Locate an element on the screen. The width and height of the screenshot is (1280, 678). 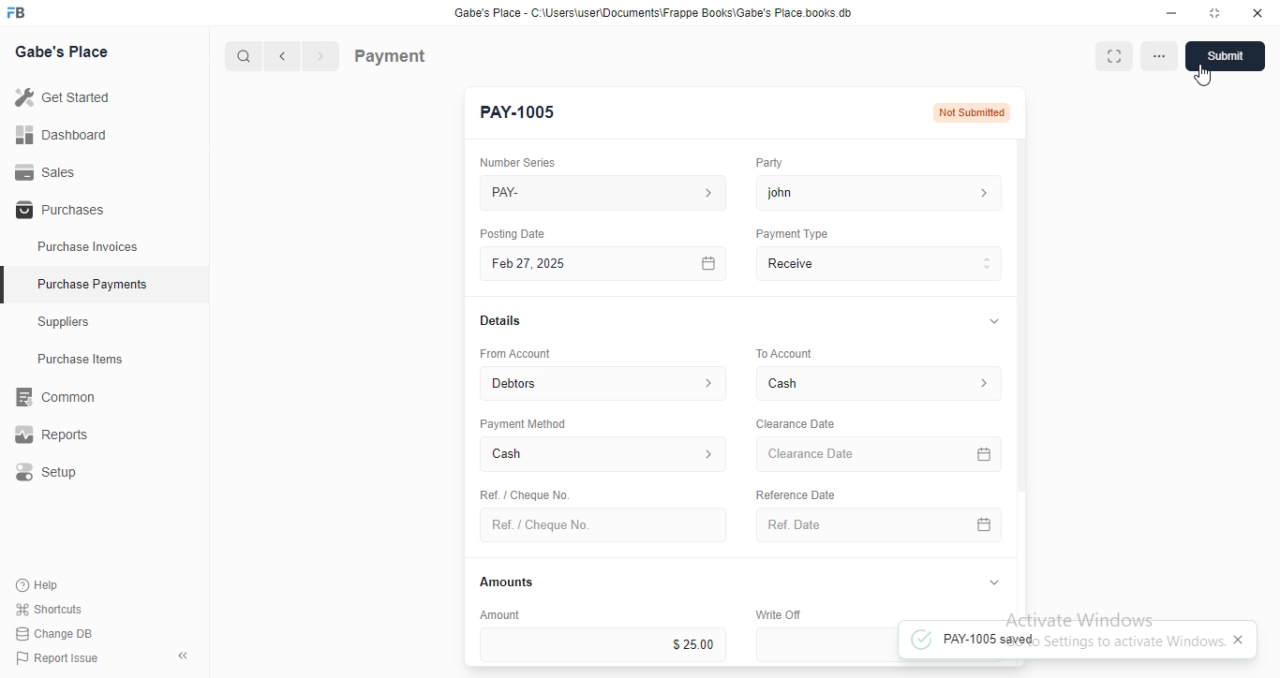
Purchase Invoices is located at coordinates (85, 247).